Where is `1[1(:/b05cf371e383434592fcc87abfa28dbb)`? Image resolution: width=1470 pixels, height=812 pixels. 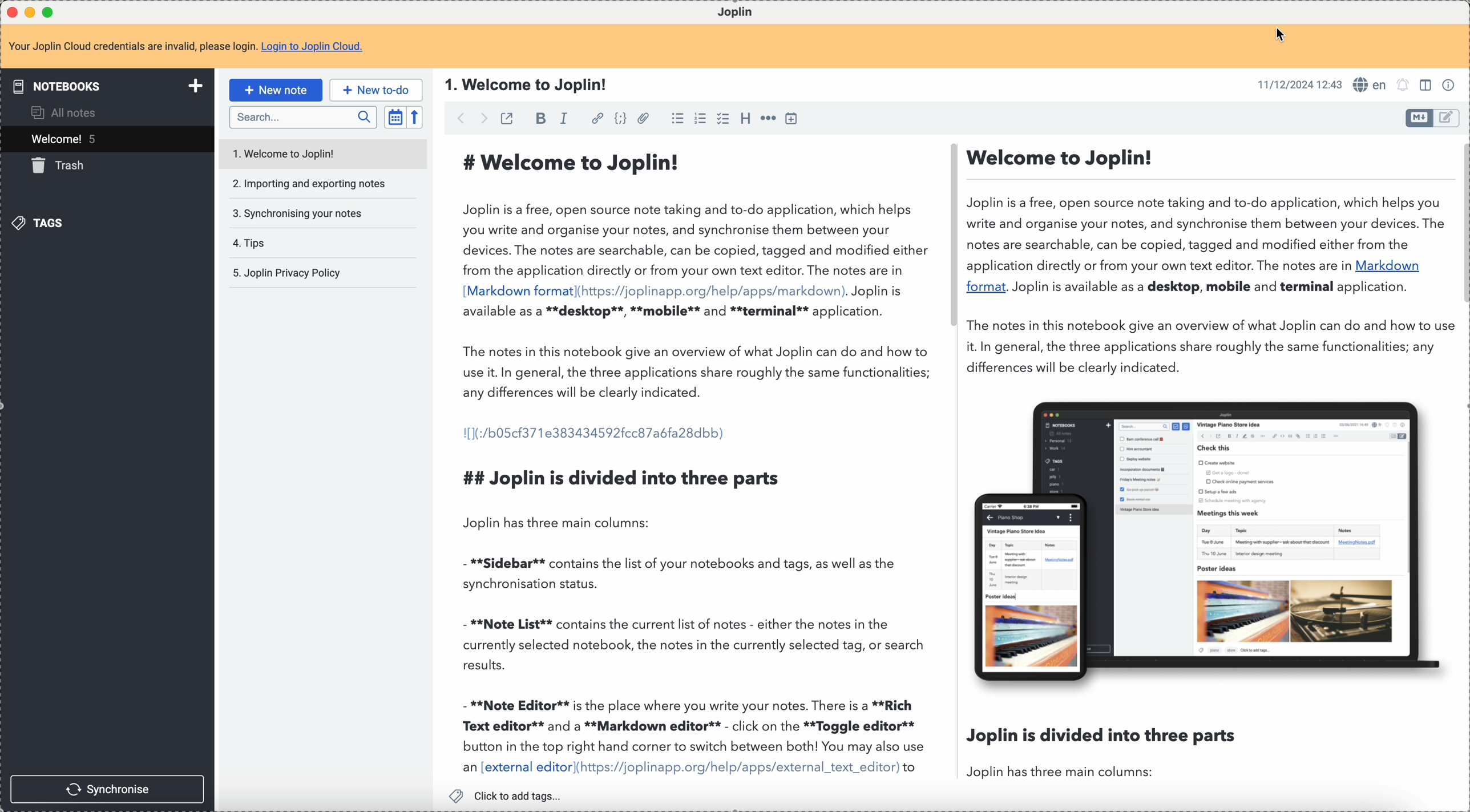 1[1(:/b05cf371e383434592fcc87abfa28dbb) is located at coordinates (596, 434).